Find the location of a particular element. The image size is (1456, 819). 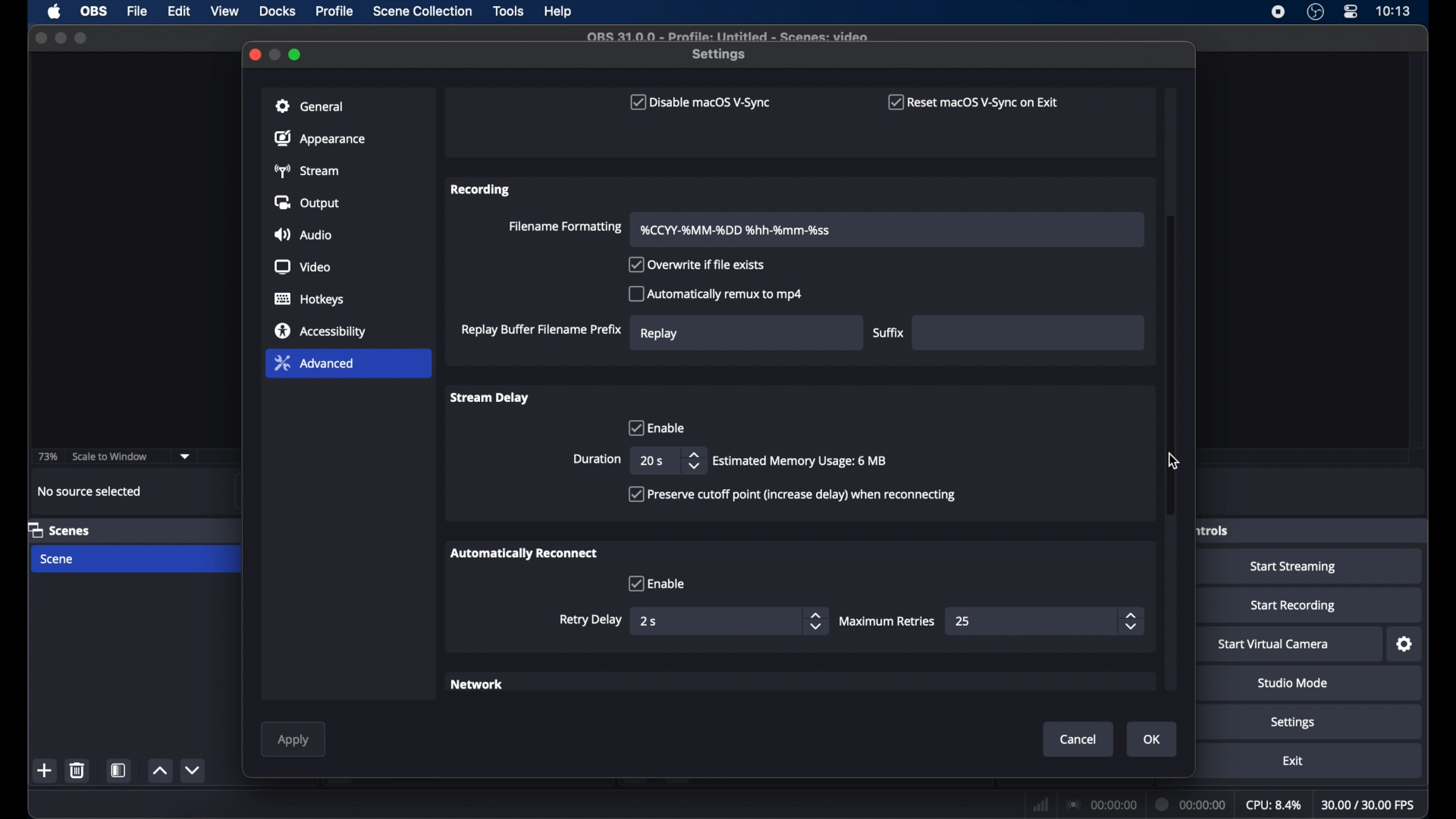

scroll box is located at coordinates (1171, 367).